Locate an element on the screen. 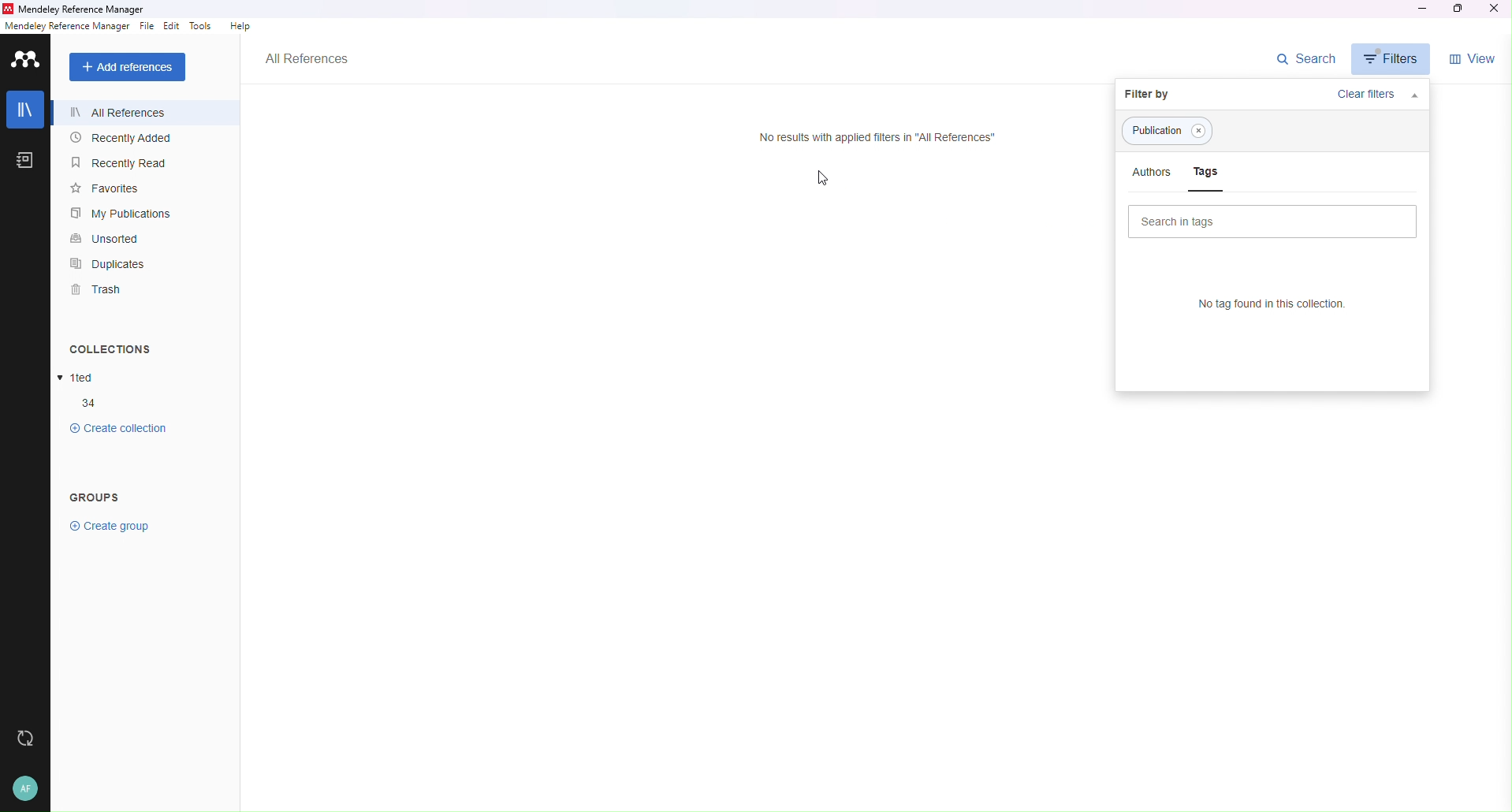  reference manager is located at coordinates (68, 26).